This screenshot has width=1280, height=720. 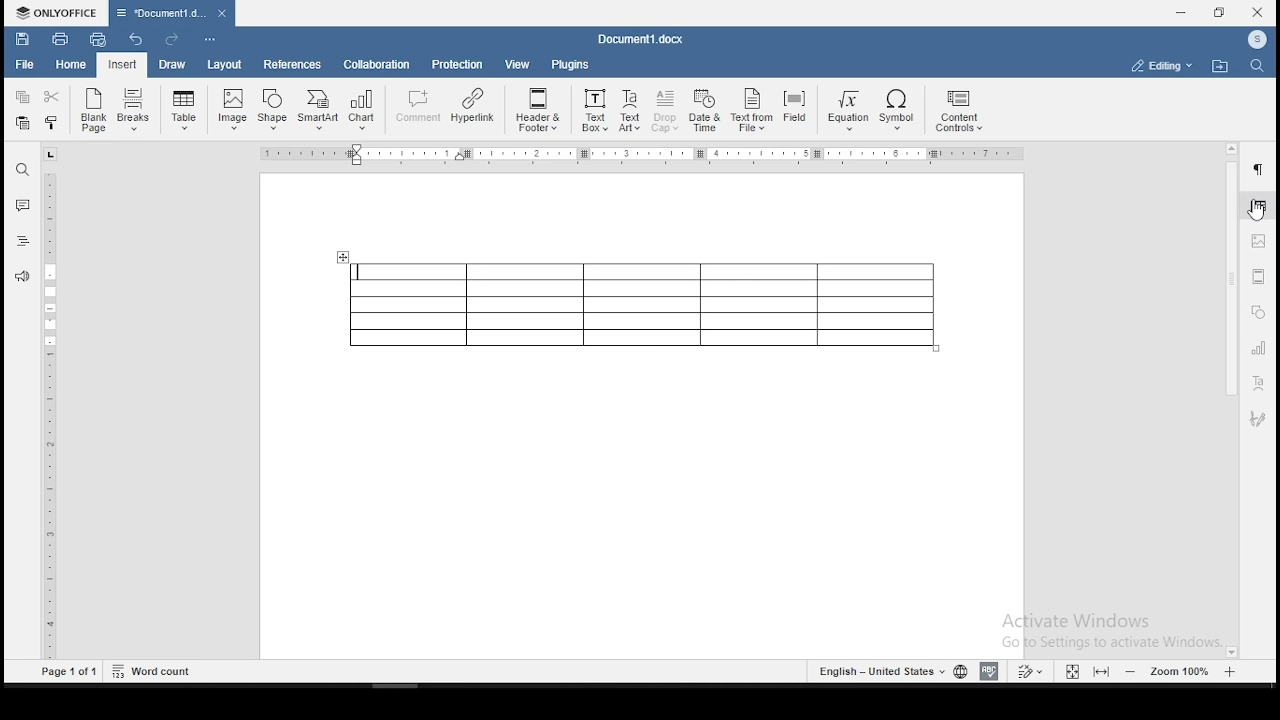 What do you see at coordinates (1255, 67) in the screenshot?
I see `find` at bounding box center [1255, 67].